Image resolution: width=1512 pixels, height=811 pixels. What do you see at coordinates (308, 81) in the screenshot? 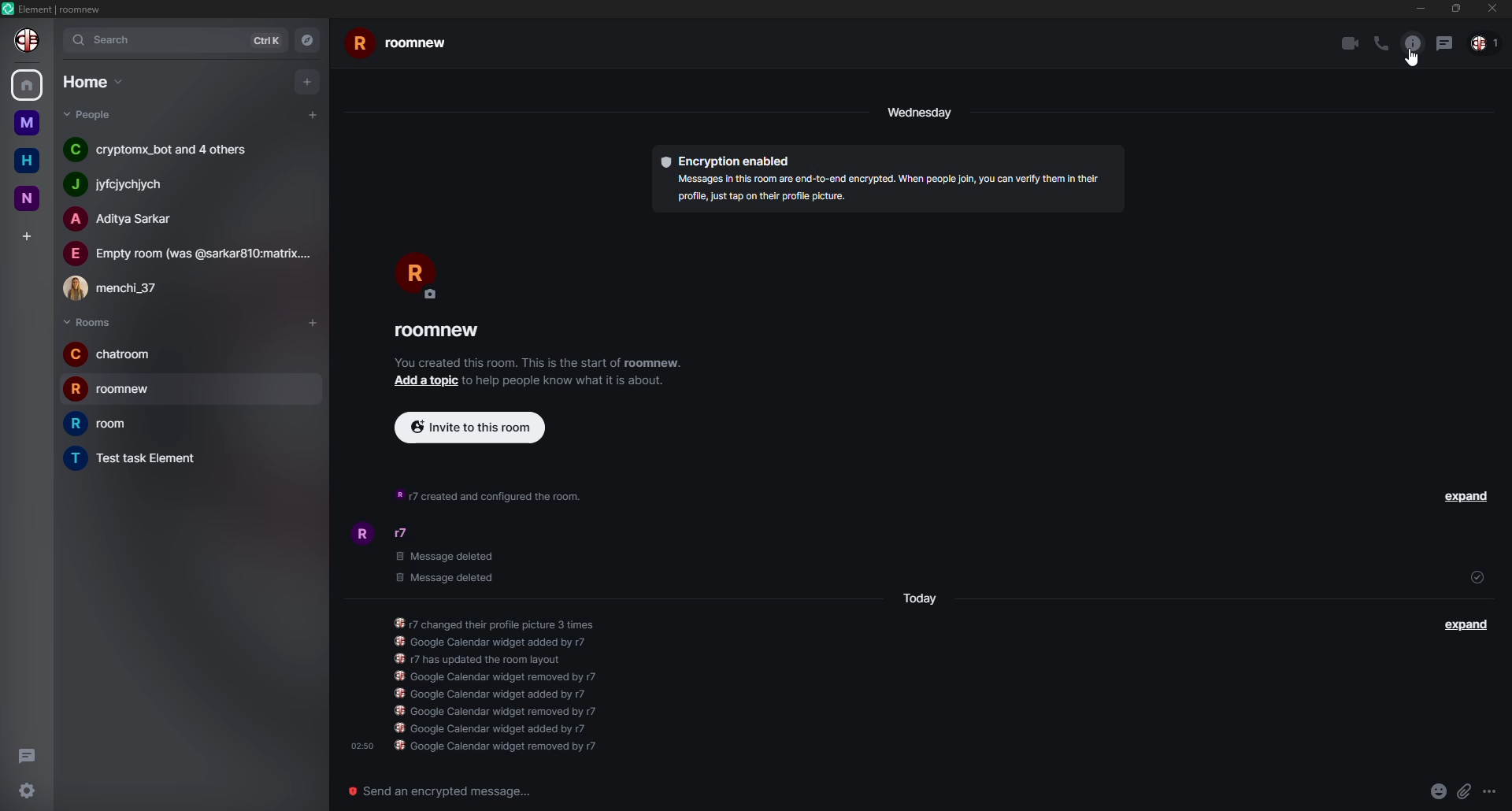
I see `add` at bounding box center [308, 81].